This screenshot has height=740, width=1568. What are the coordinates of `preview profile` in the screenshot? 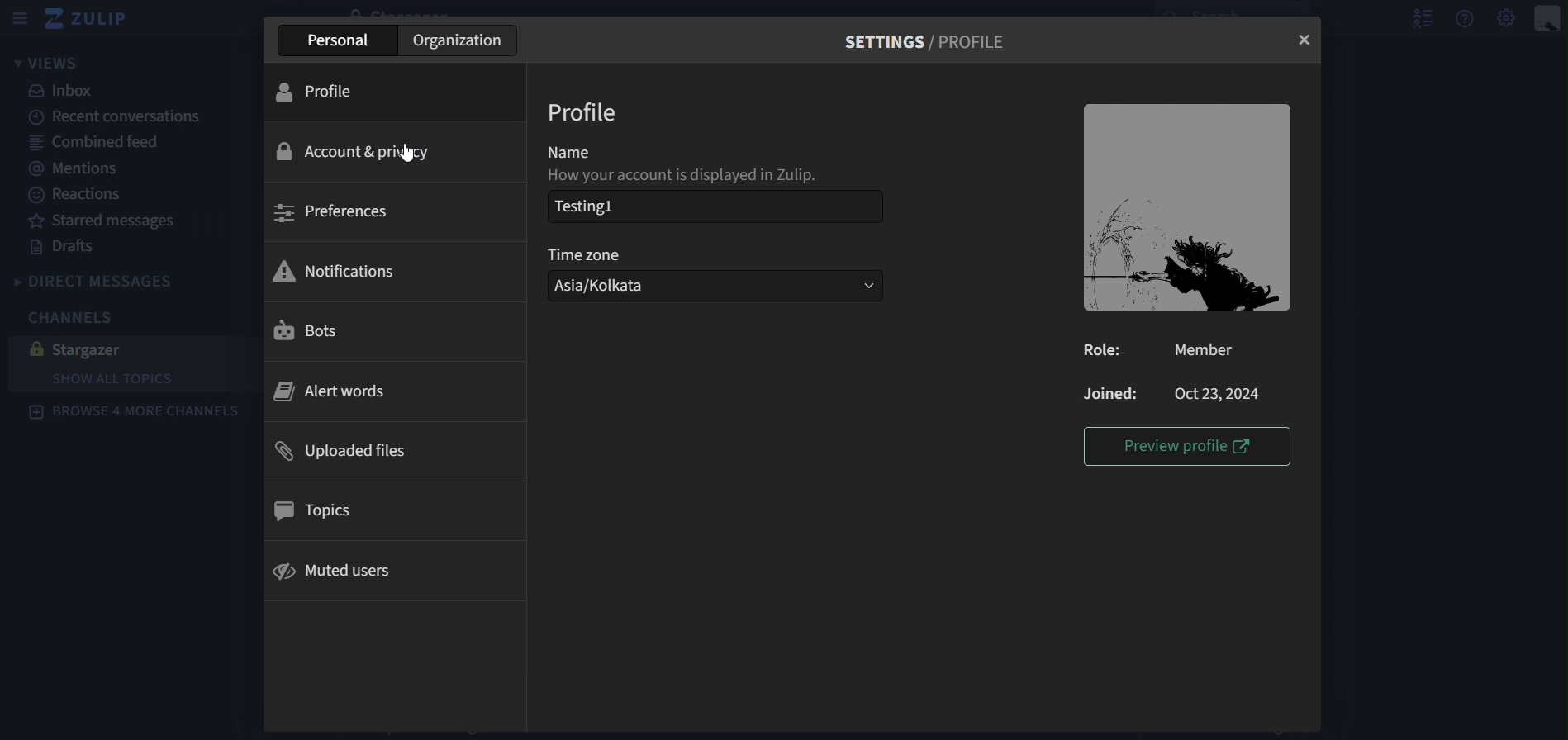 It's located at (1193, 446).